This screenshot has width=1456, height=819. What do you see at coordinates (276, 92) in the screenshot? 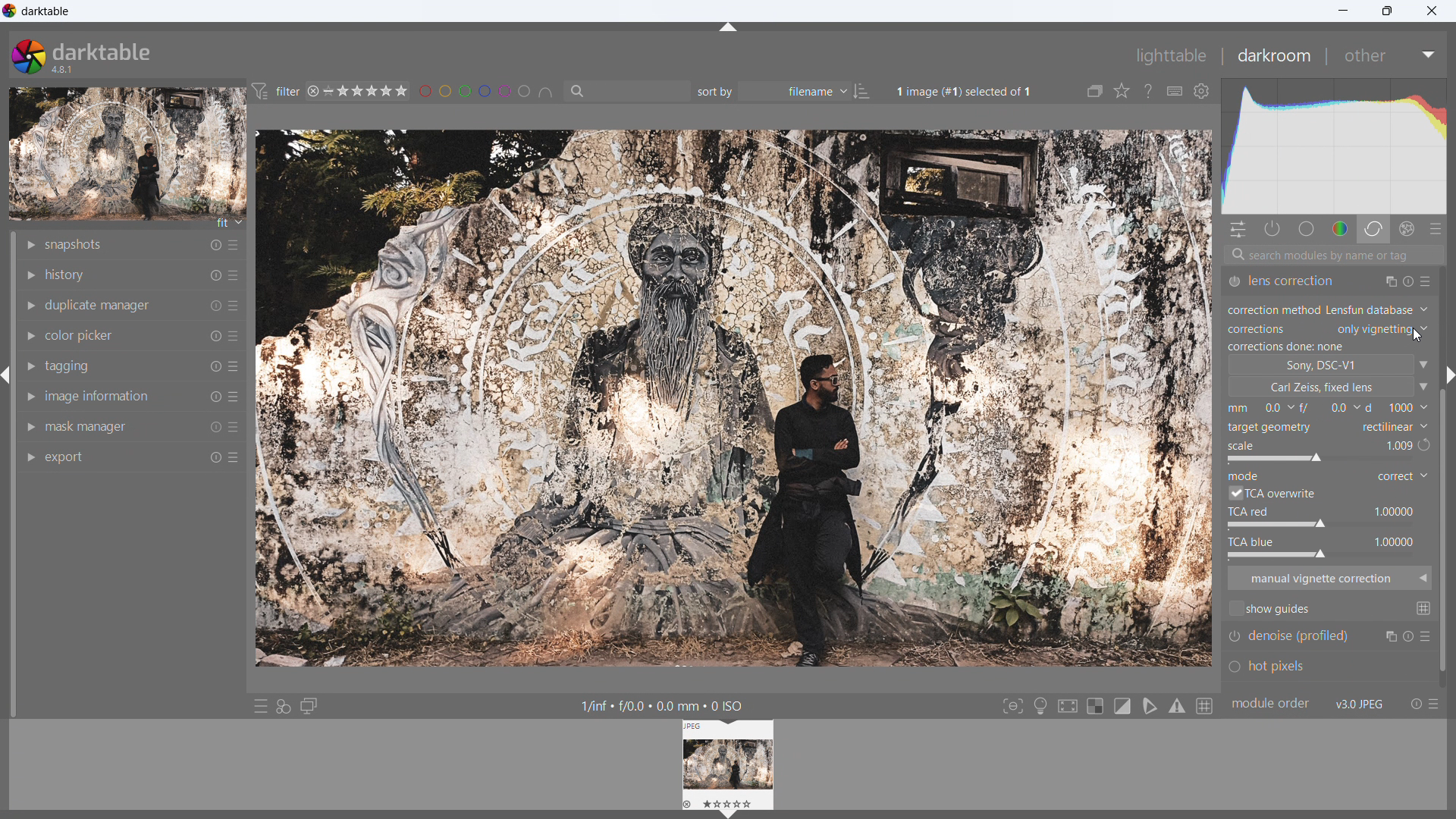
I see `filter preferences` at bounding box center [276, 92].